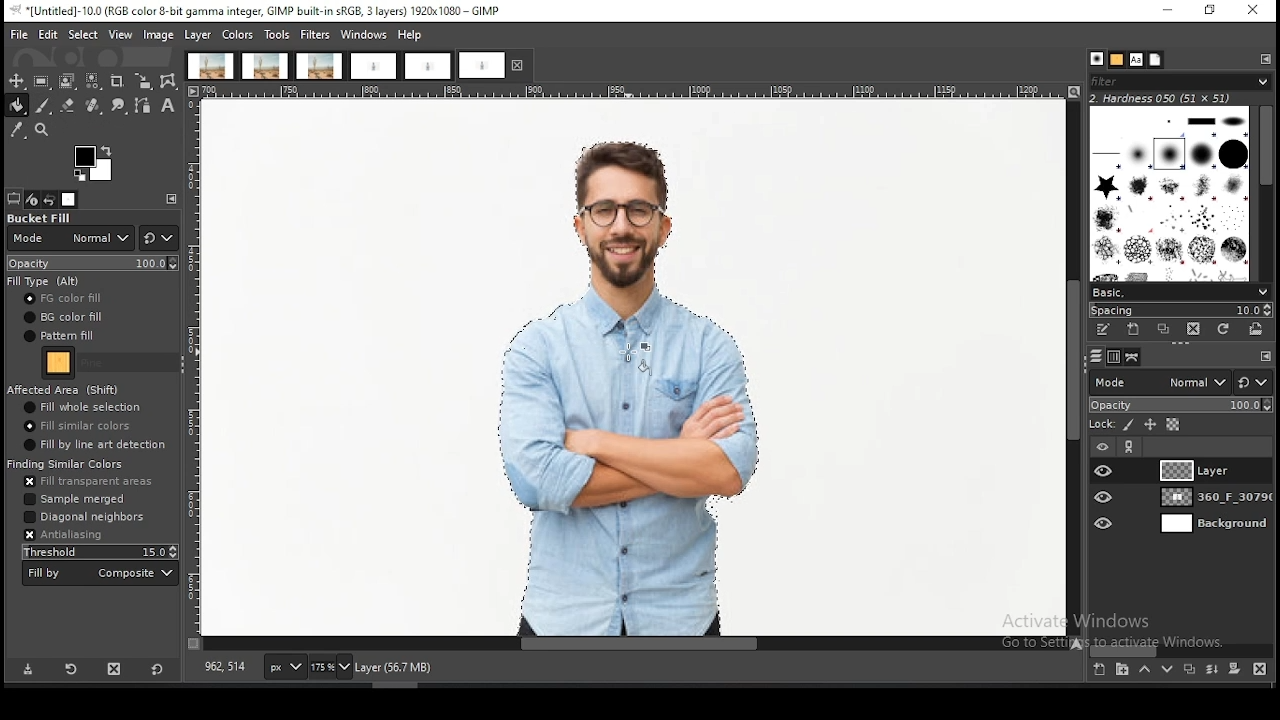  I want to click on healing tool, so click(94, 106).